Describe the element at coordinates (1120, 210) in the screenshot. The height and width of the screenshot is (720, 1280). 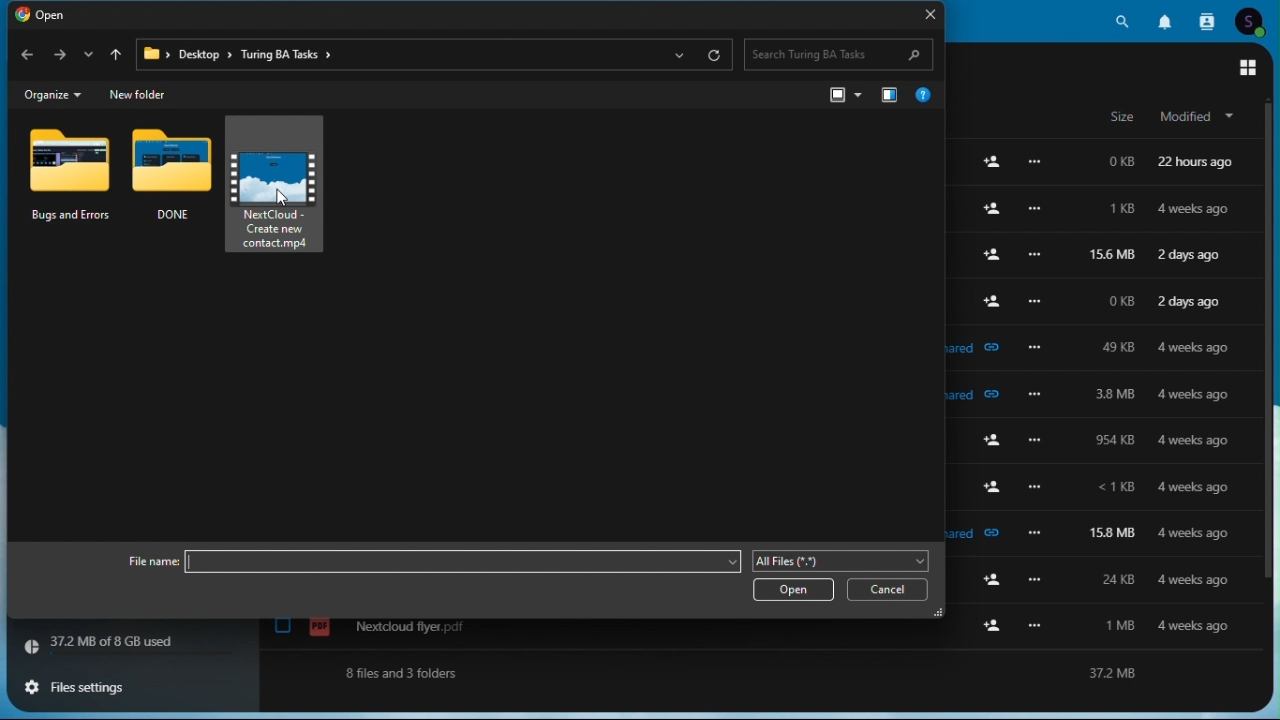
I see `1kb` at that location.